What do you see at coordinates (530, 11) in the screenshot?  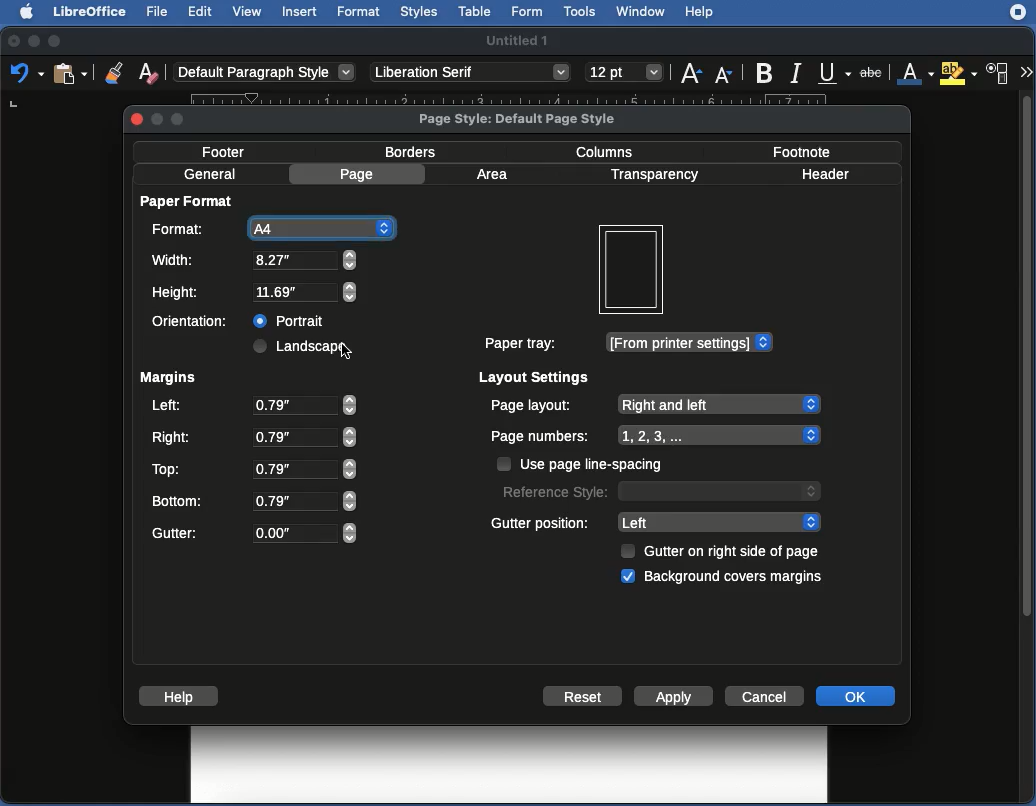 I see `Form` at bounding box center [530, 11].